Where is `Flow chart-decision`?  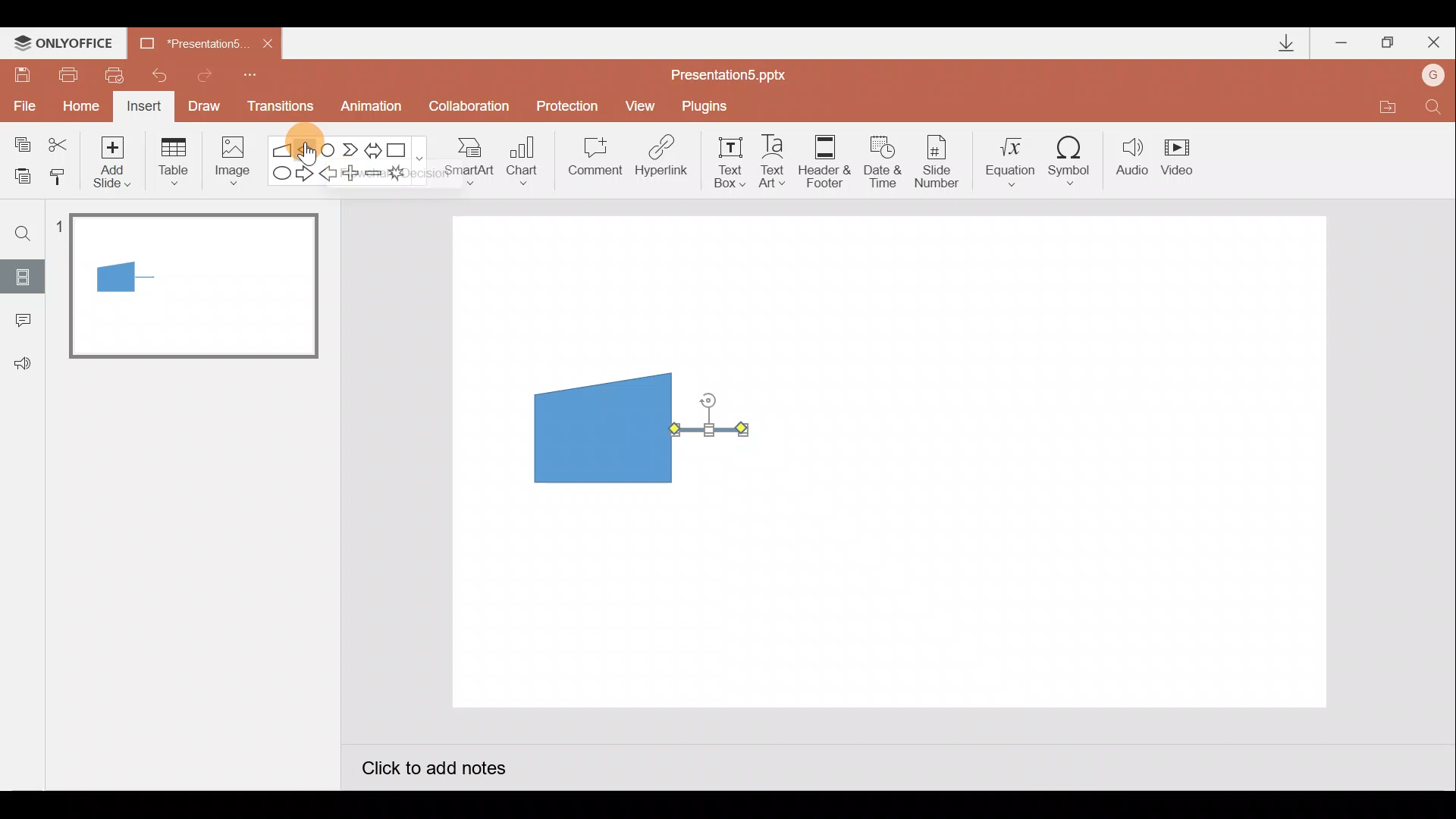 Flow chart-decision is located at coordinates (308, 149).